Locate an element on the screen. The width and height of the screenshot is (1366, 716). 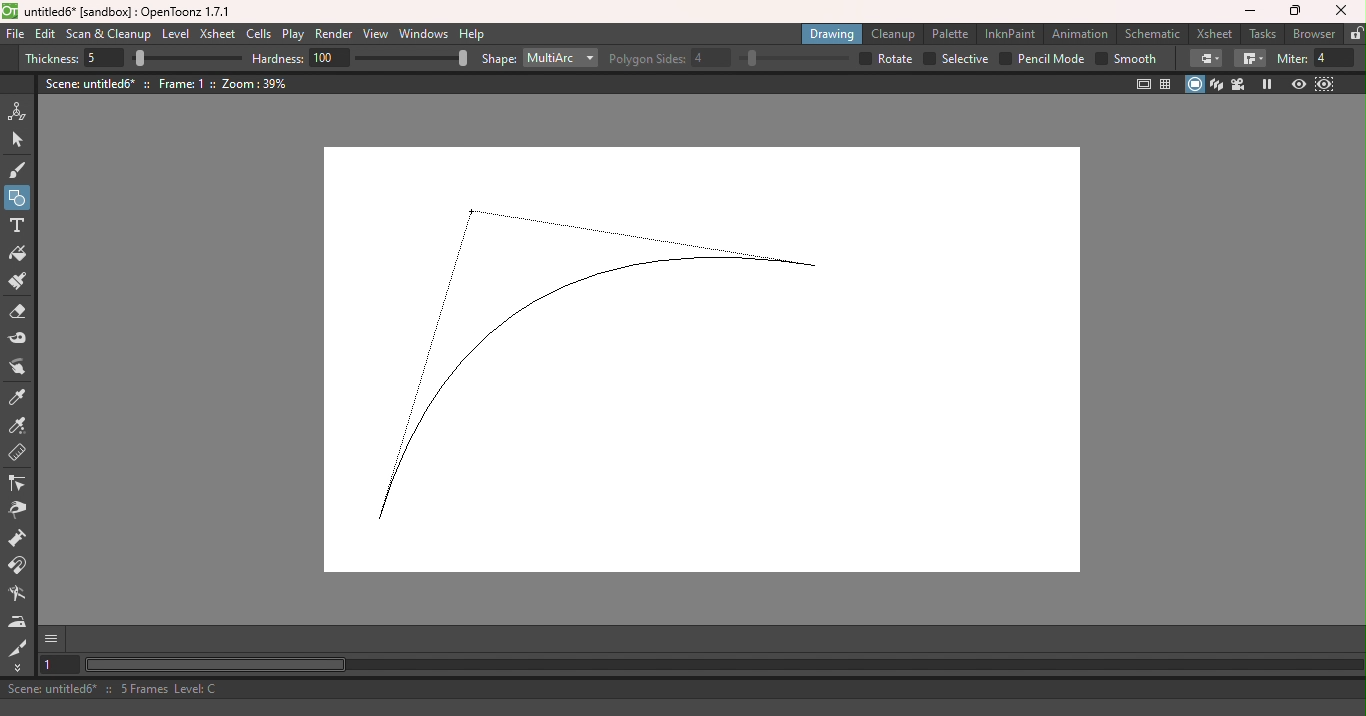
Eraser tool is located at coordinates (17, 313).